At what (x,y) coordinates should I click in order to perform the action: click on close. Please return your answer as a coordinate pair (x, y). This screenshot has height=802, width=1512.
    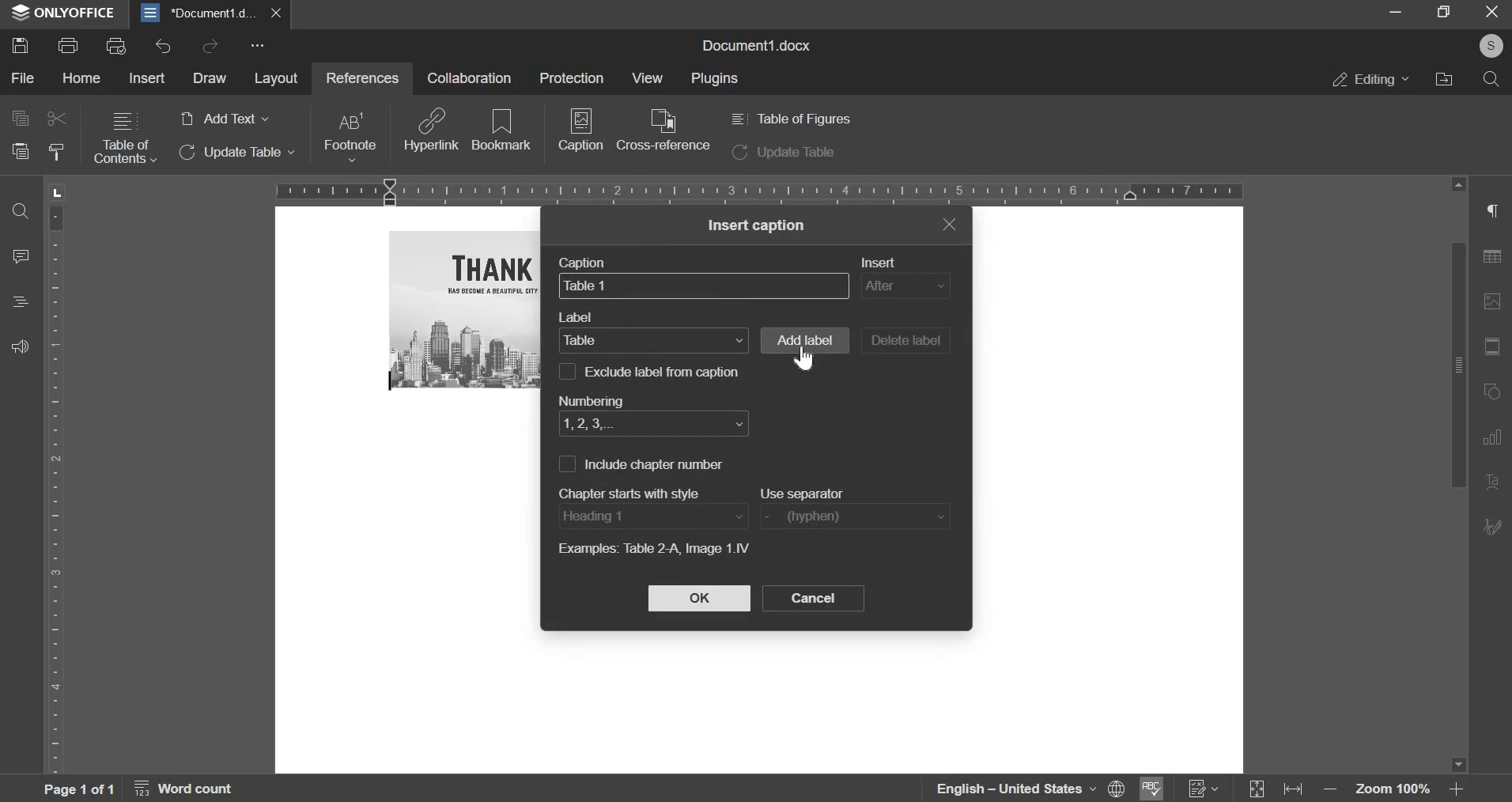
    Looking at the image, I should click on (280, 13).